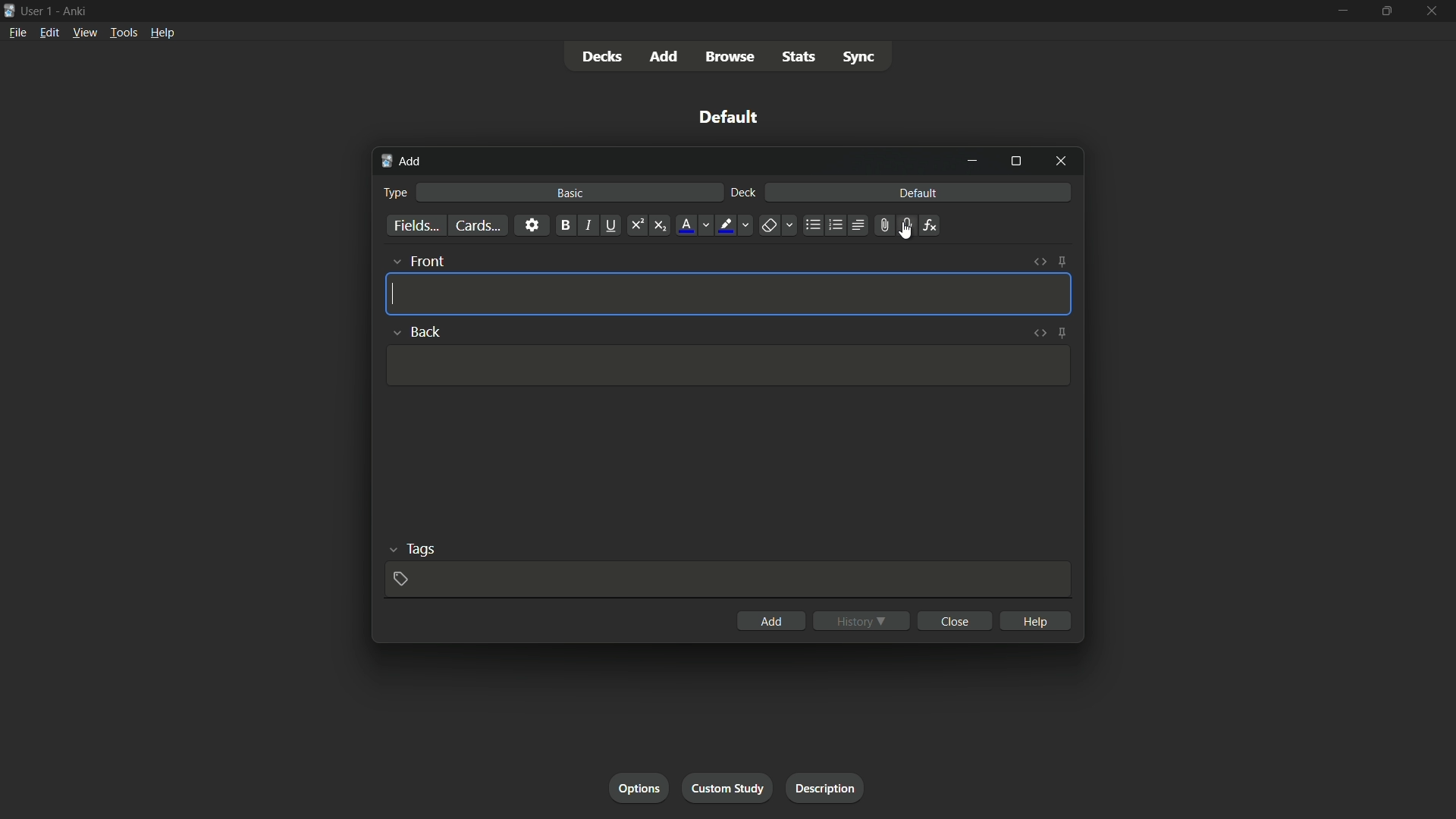 The height and width of the screenshot is (819, 1456). I want to click on default, so click(918, 193).